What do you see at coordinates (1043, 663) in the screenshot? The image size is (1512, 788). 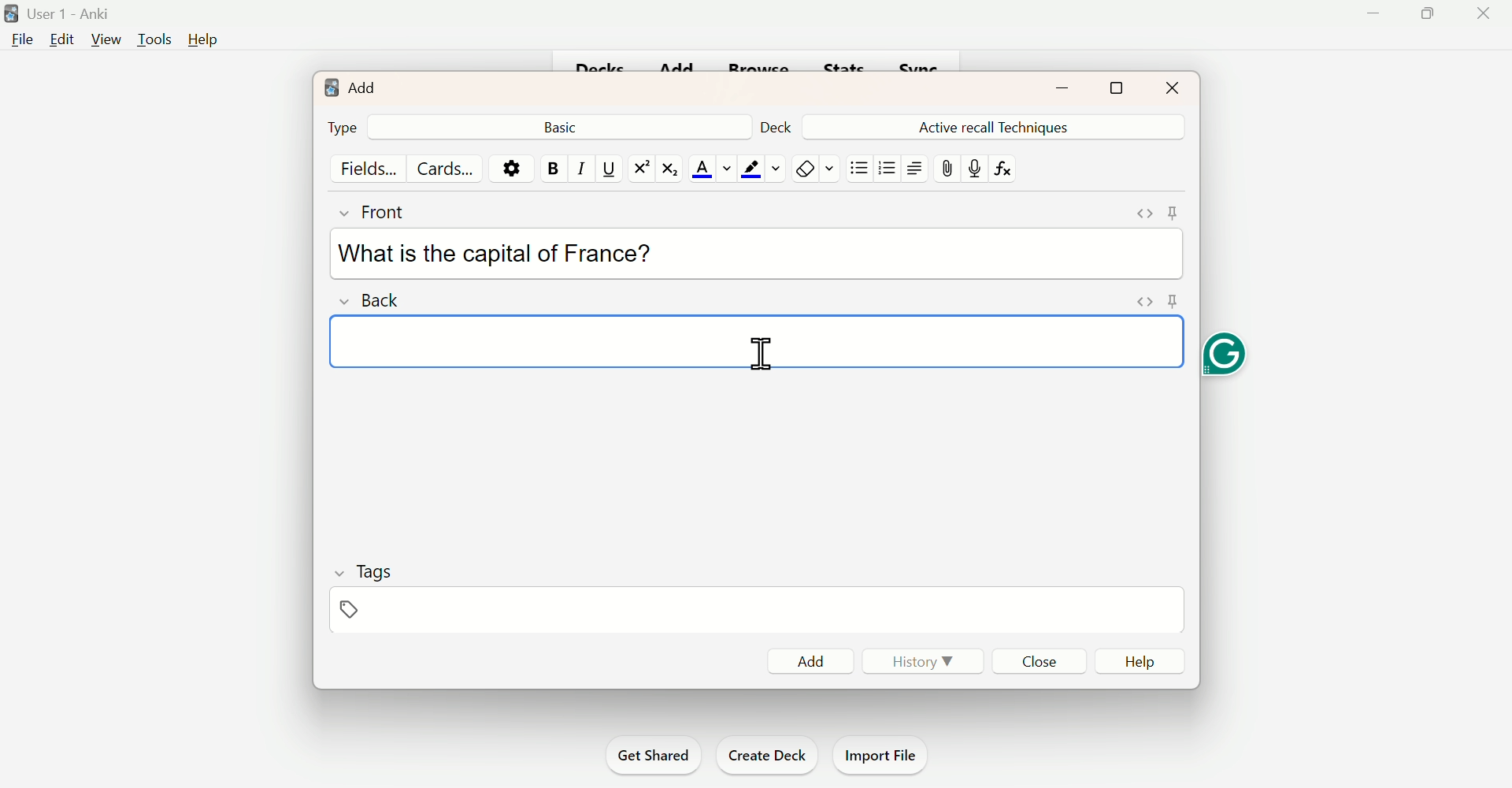 I see `Close` at bounding box center [1043, 663].